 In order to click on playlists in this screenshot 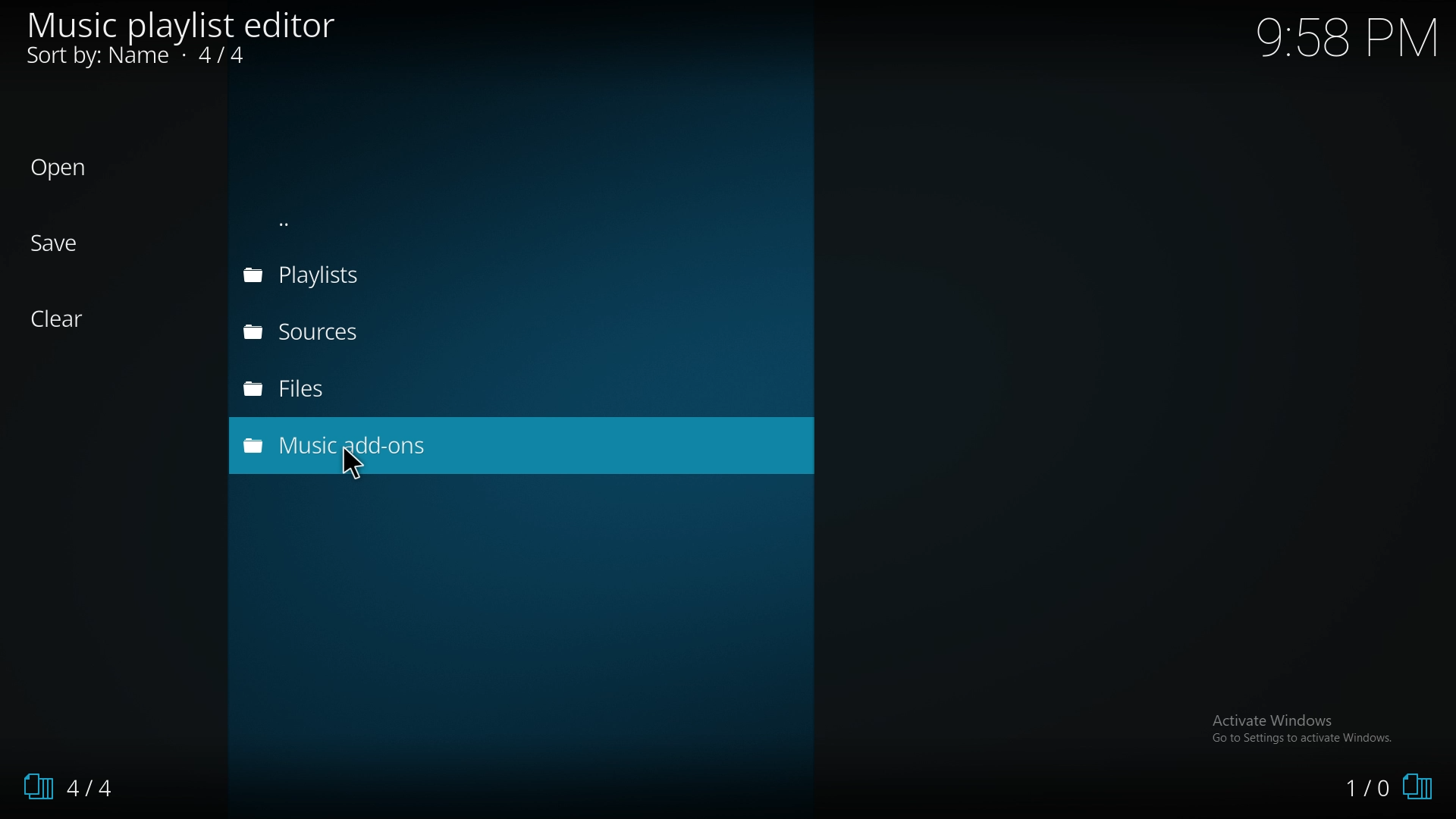, I will do `click(392, 275)`.